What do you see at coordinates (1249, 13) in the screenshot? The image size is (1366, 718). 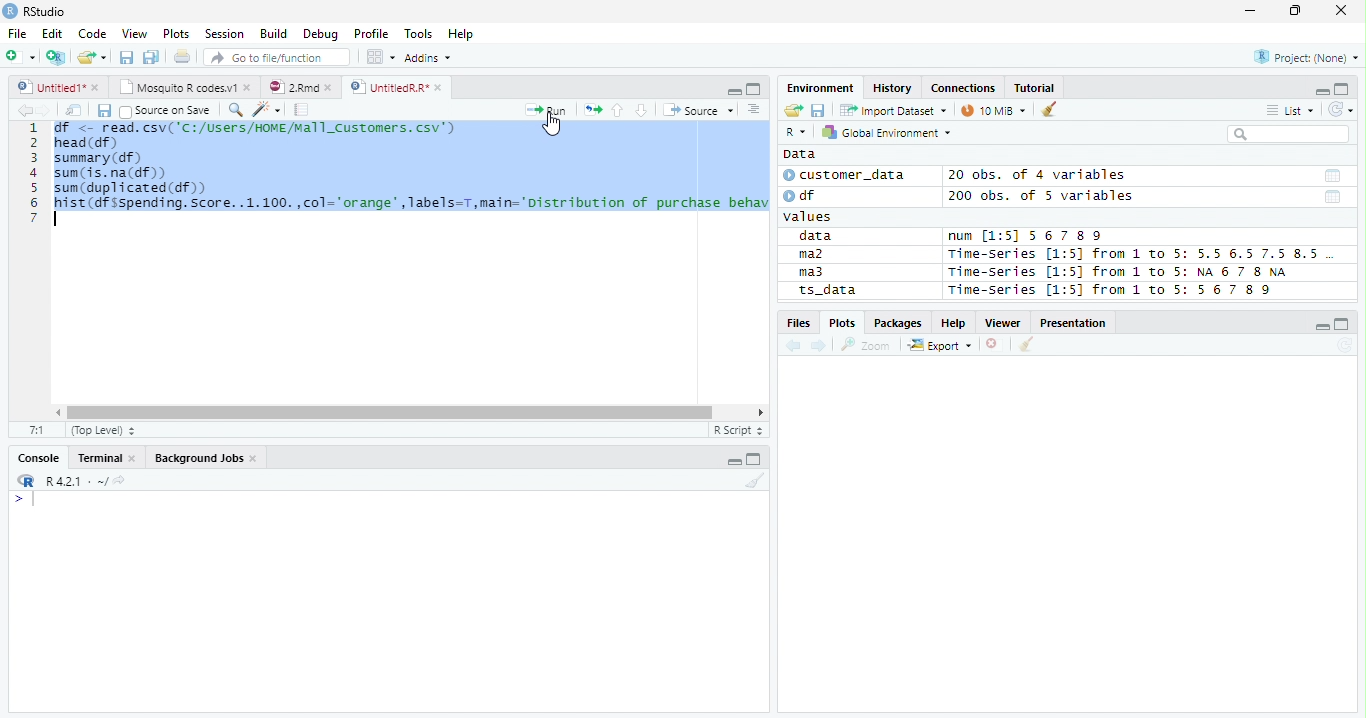 I see `Minimize` at bounding box center [1249, 13].